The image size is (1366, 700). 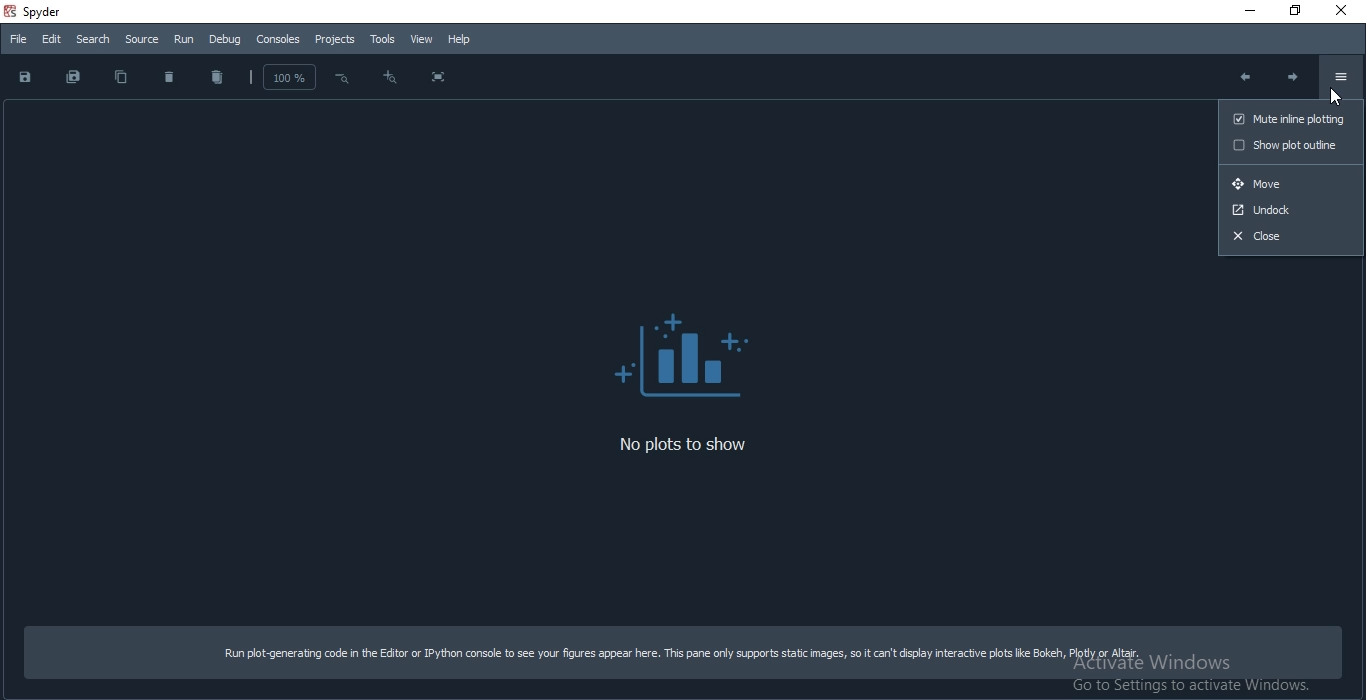 I want to click on View, so click(x=419, y=40).